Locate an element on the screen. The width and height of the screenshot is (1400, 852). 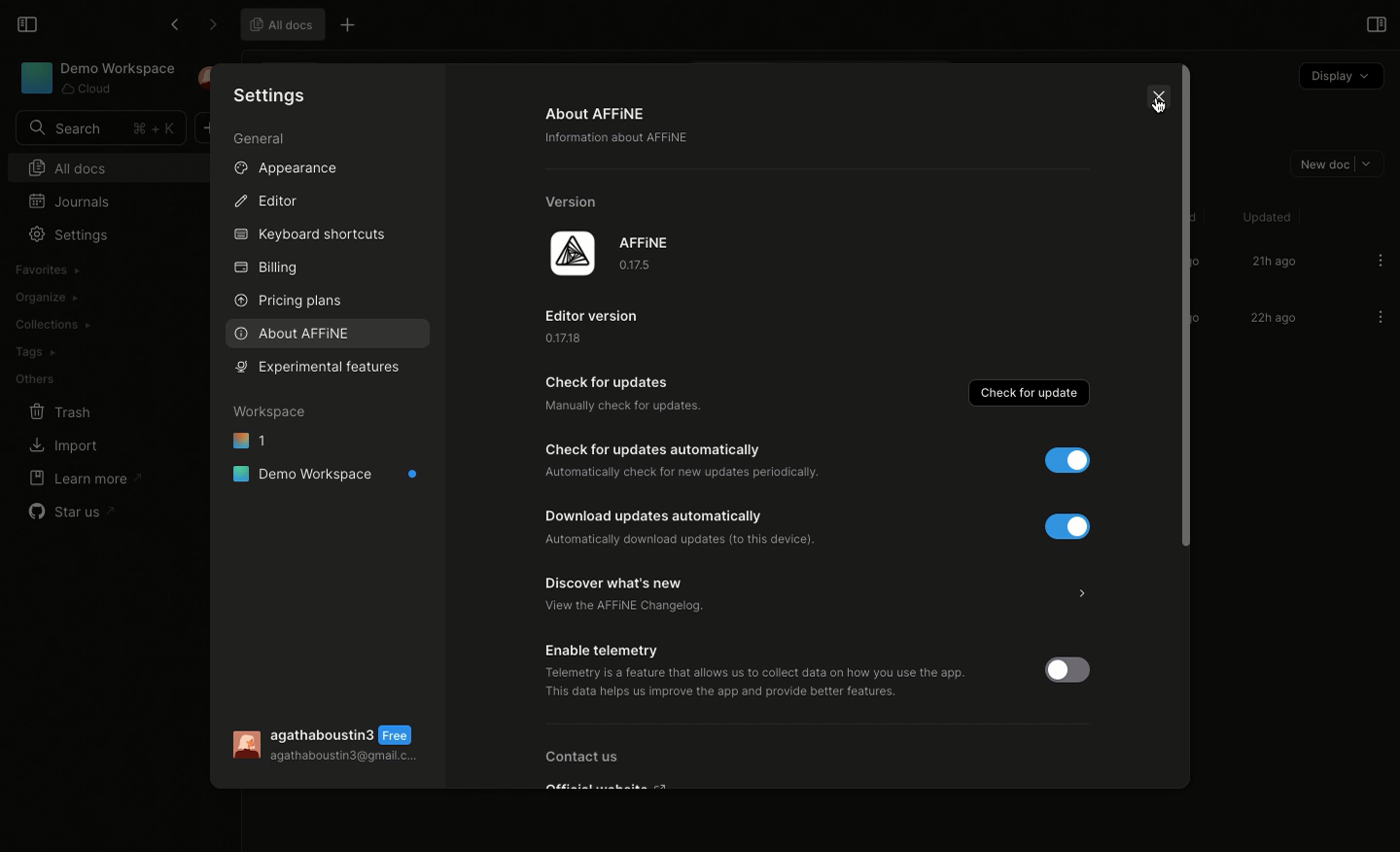
Journals is located at coordinates (74, 200).